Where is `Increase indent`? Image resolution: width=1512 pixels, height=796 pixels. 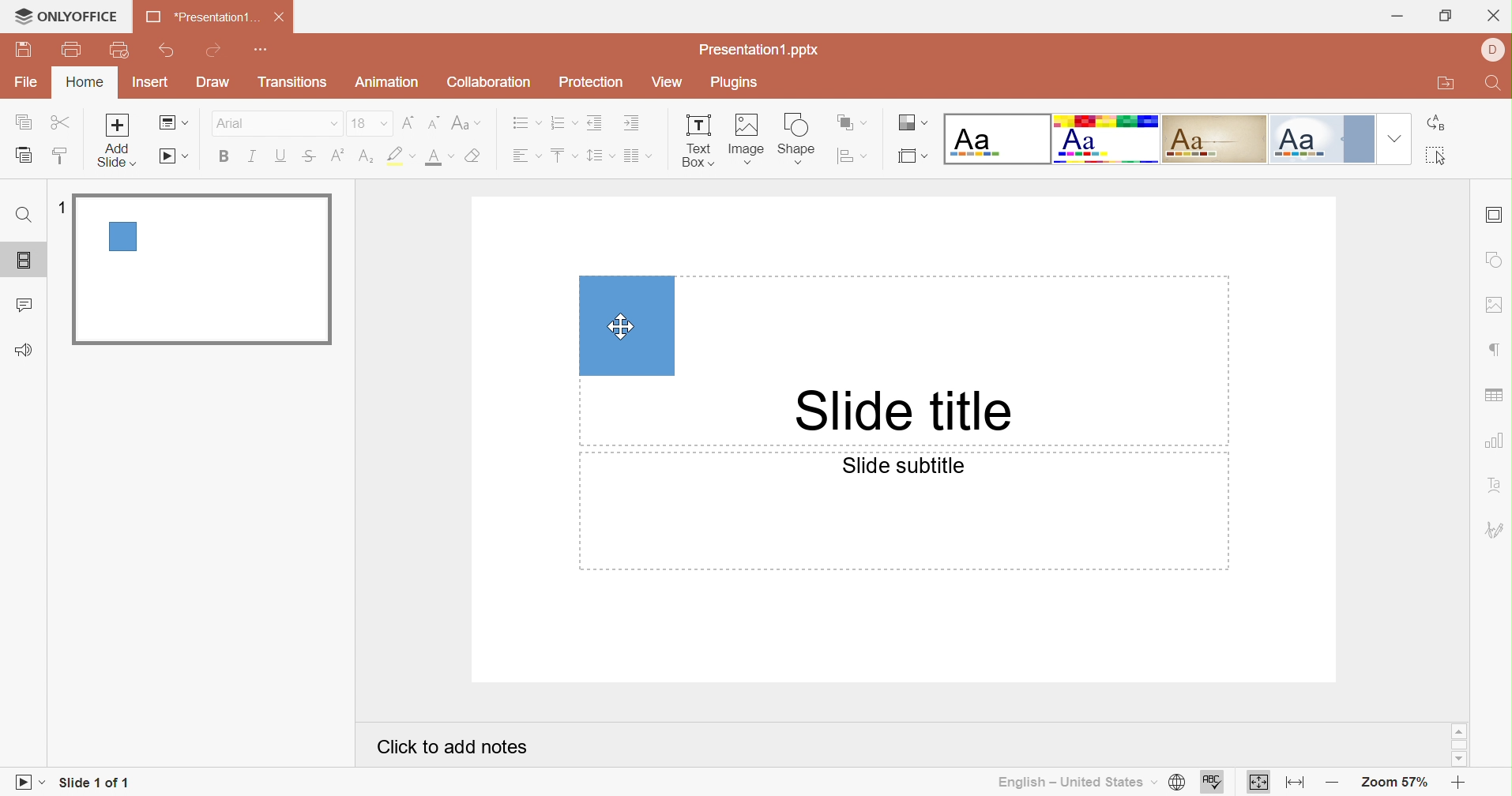 Increase indent is located at coordinates (634, 122).